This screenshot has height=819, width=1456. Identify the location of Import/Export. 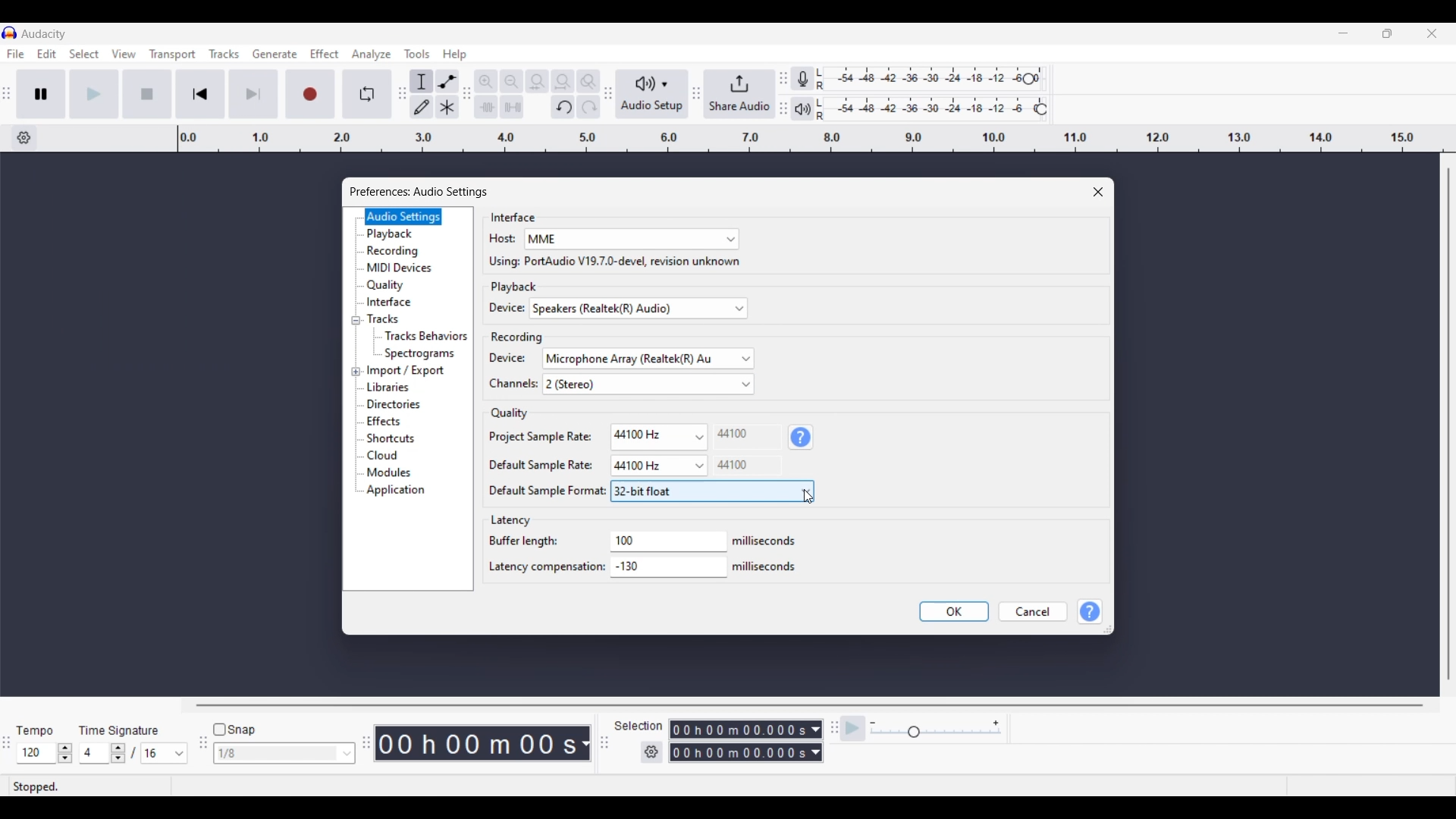
(409, 371).